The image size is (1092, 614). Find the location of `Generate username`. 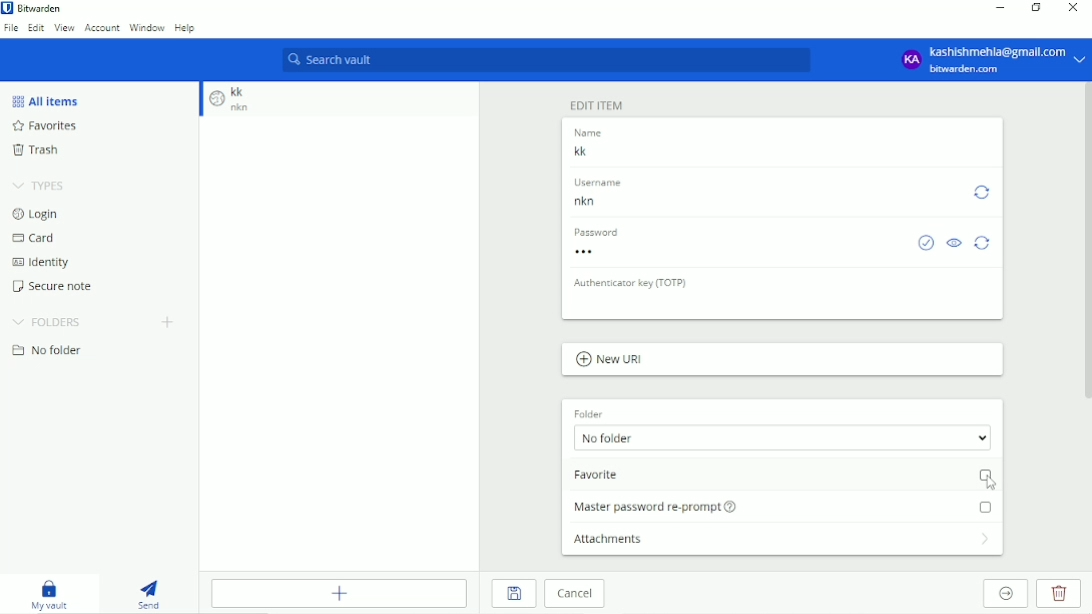

Generate username is located at coordinates (983, 192).